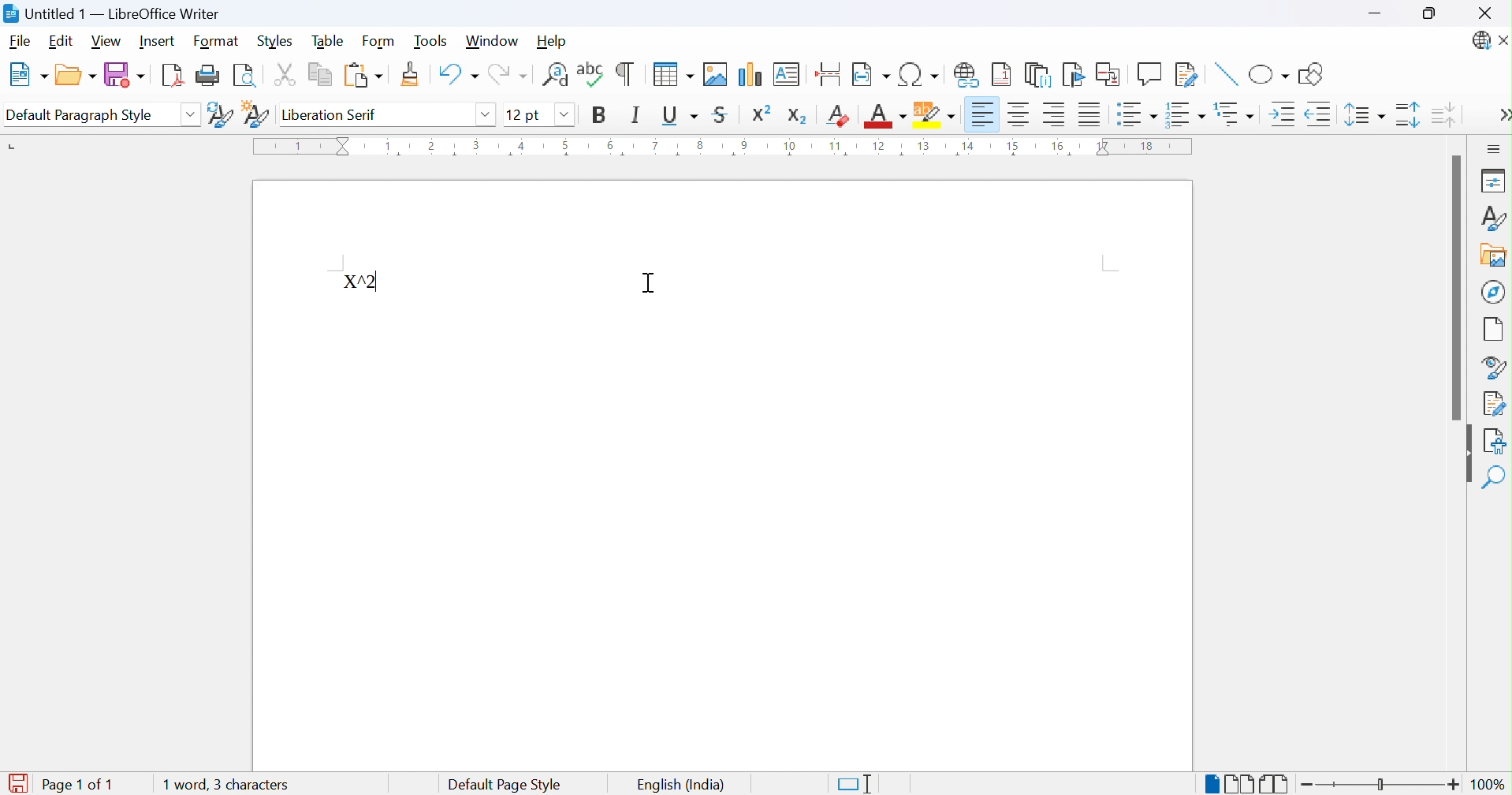 This screenshot has height=795, width=1512. Describe the element at coordinates (191, 117) in the screenshot. I see `Drop down` at that location.